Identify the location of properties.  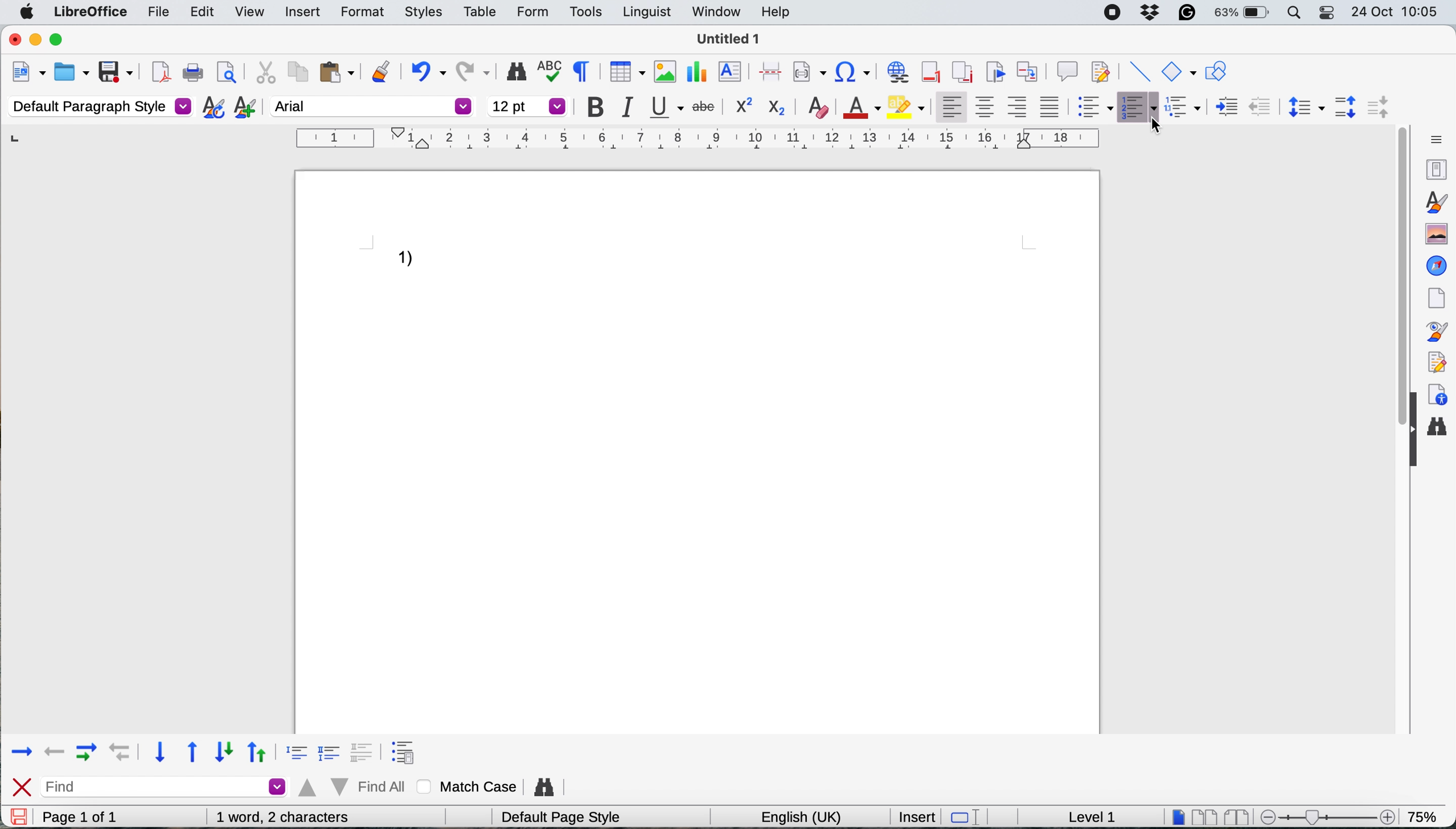
(1431, 168).